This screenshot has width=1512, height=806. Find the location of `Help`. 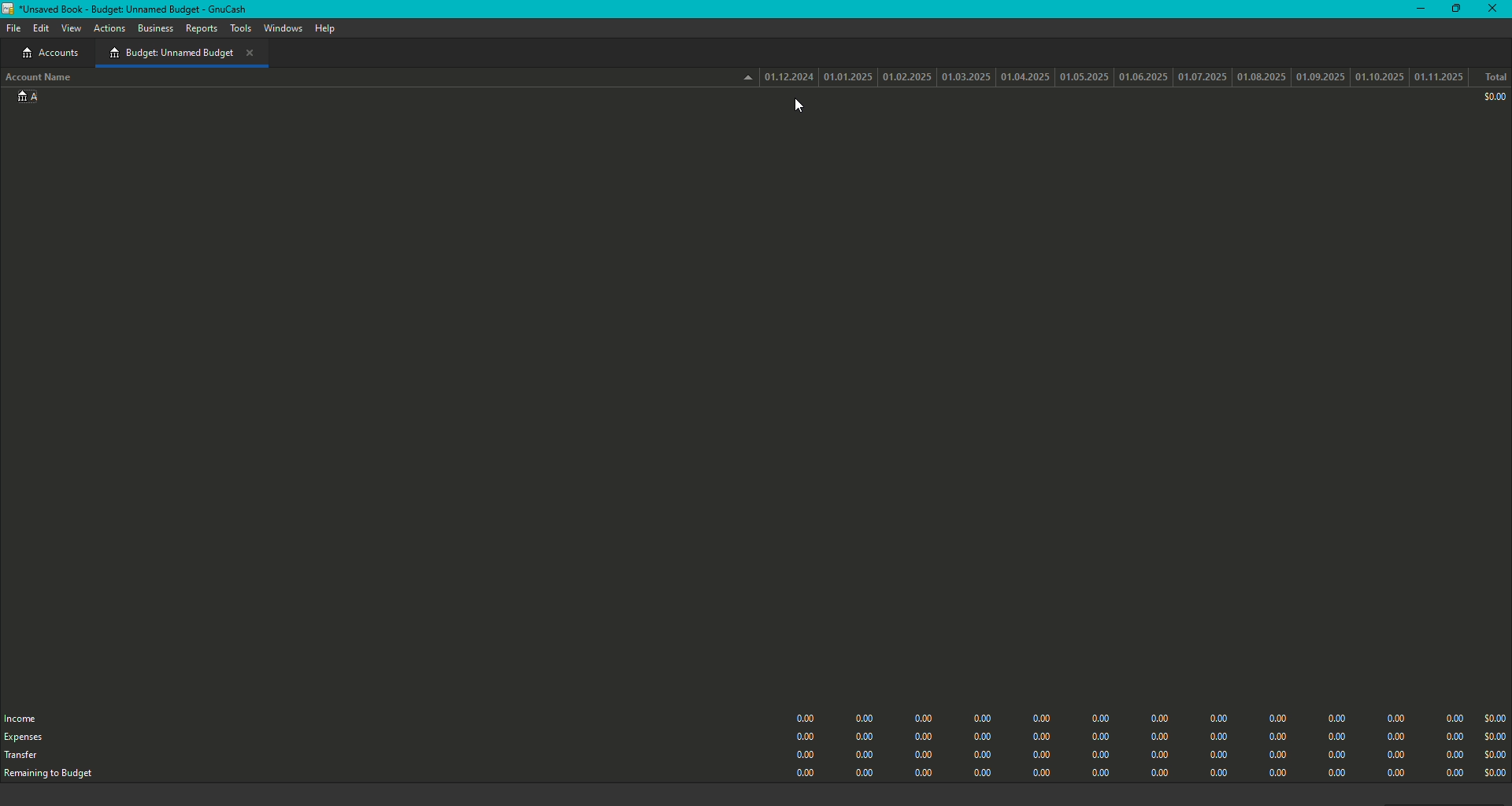

Help is located at coordinates (323, 28).